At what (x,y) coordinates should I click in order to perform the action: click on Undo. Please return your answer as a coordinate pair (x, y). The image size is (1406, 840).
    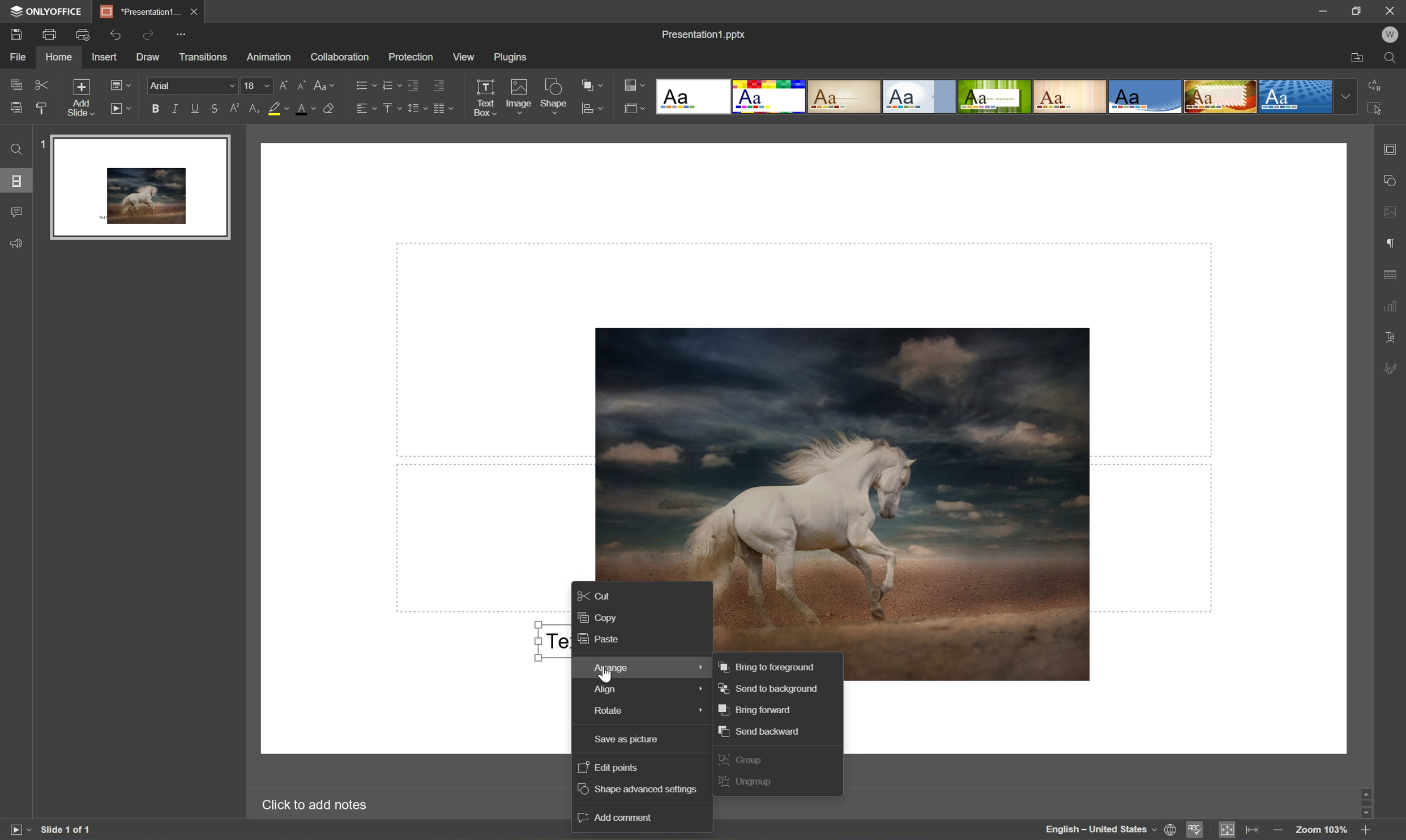
    Looking at the image, I should click on (117, 36).